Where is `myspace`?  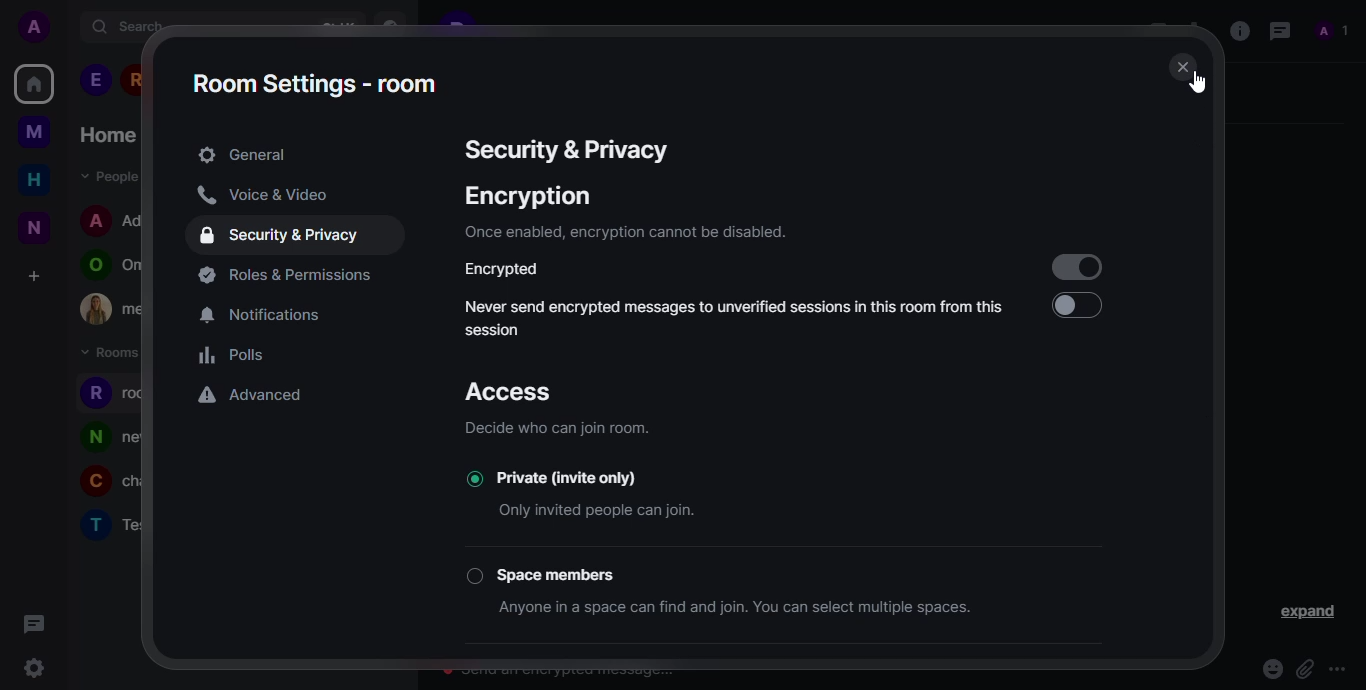 myspace is located at coordinates (34, 131).